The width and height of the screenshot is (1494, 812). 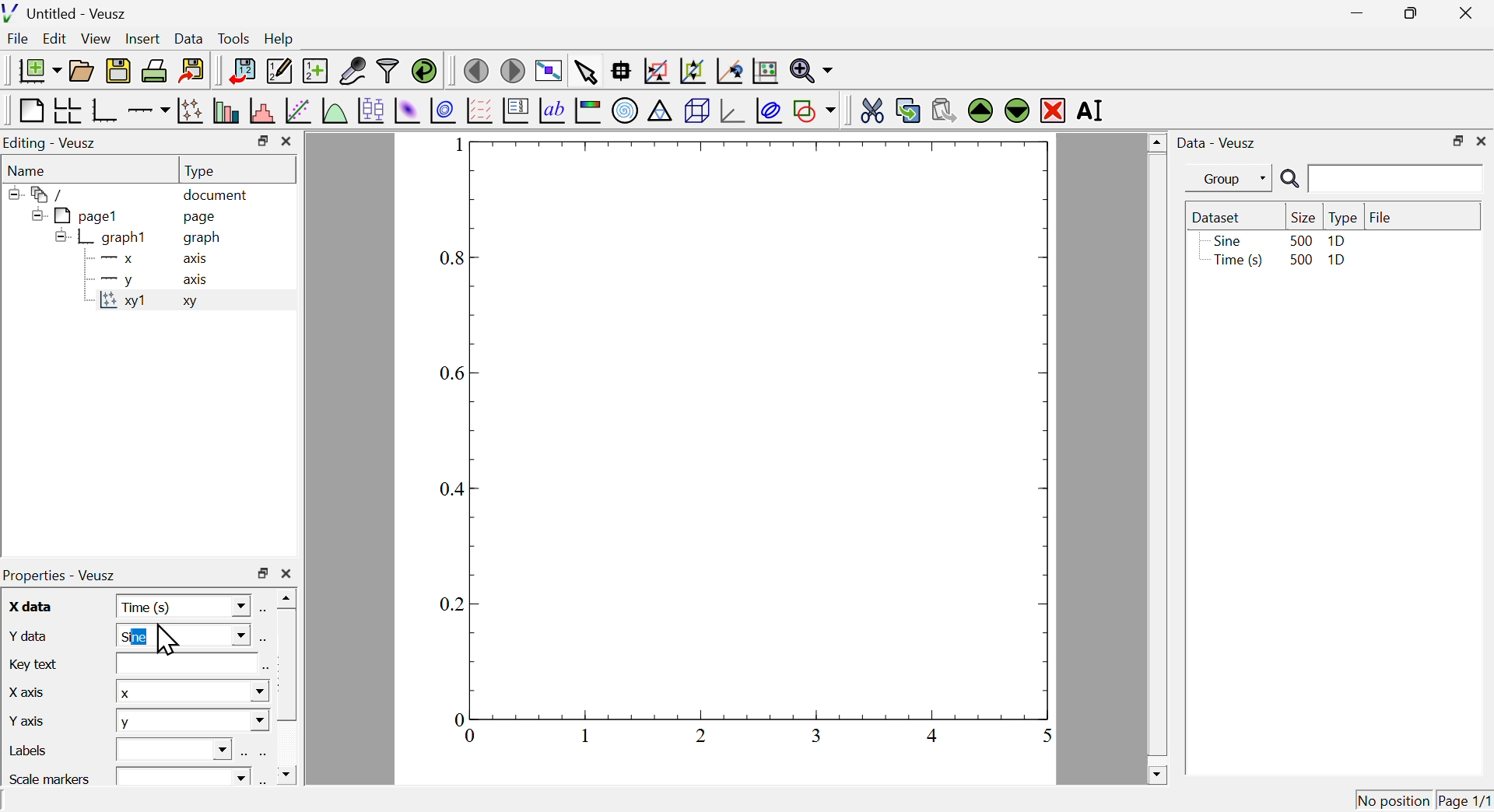 What do you see at coordinates (334, 110) in the screenshot?
I see `plot a function` at bounding box center [334, 110].